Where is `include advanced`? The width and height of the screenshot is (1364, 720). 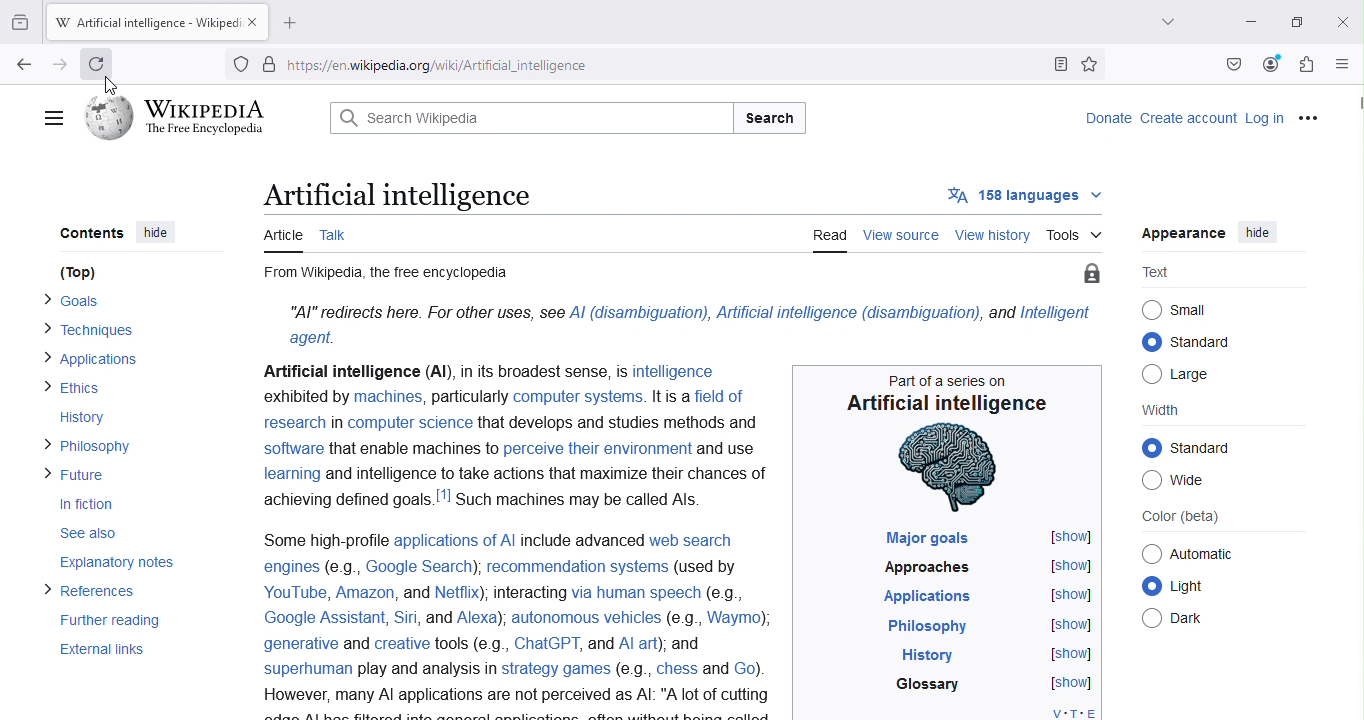
include advanced is located at coordinates (584, 541).